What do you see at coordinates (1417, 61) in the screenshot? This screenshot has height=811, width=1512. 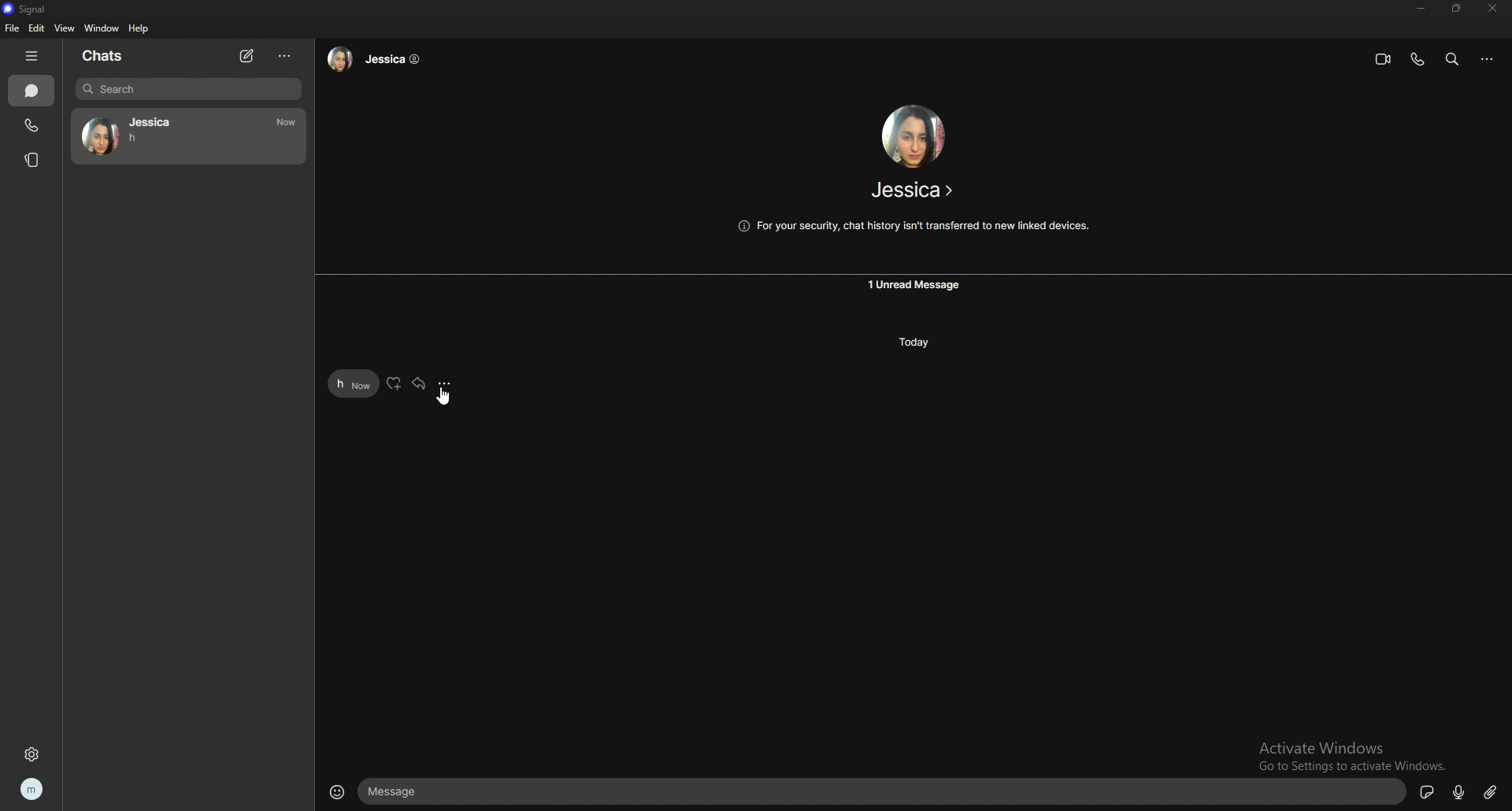 I see `voice call` at bounding box center [1417, 61].